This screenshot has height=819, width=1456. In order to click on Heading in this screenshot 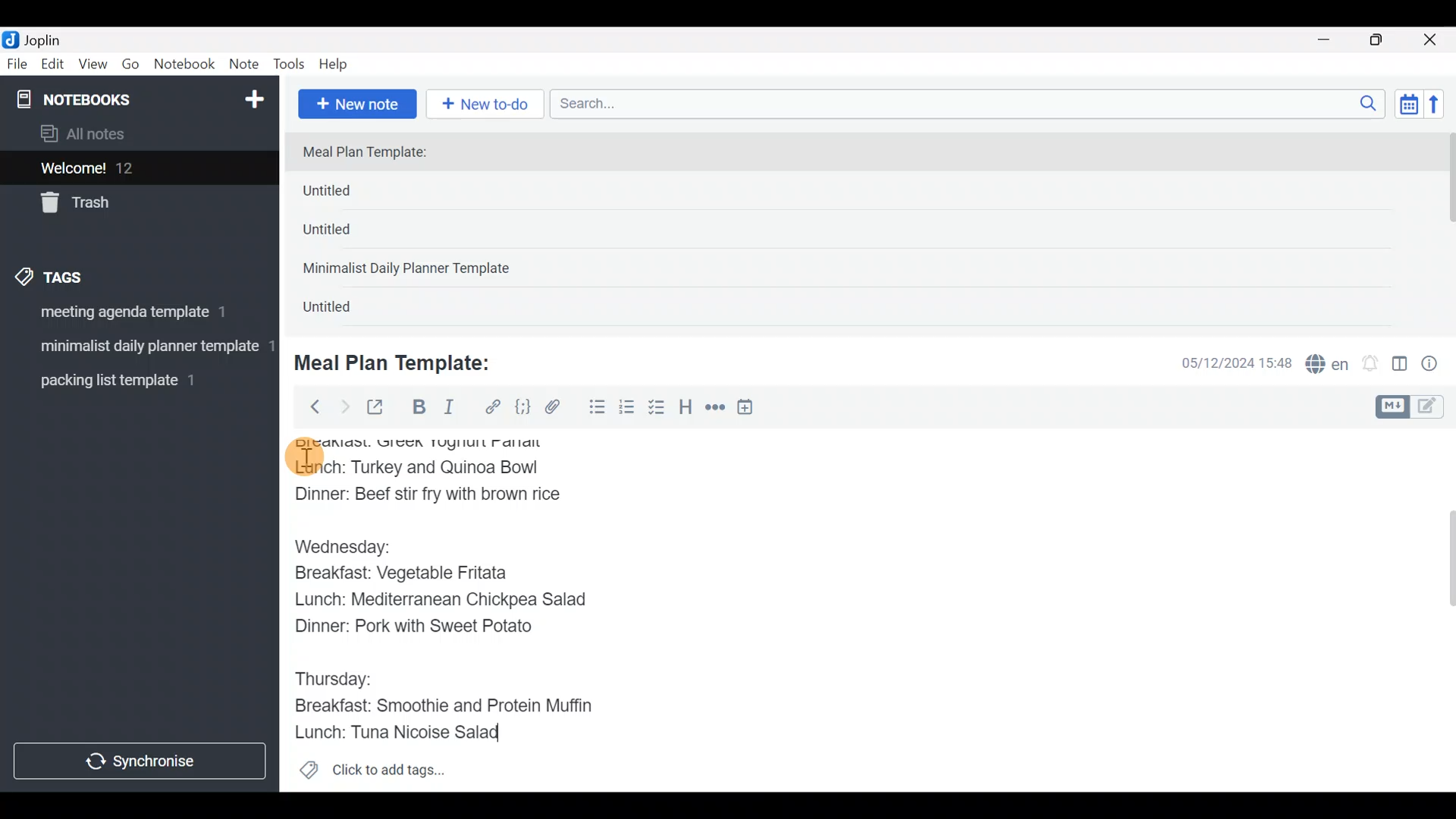, I will do `click(686, 409)`.